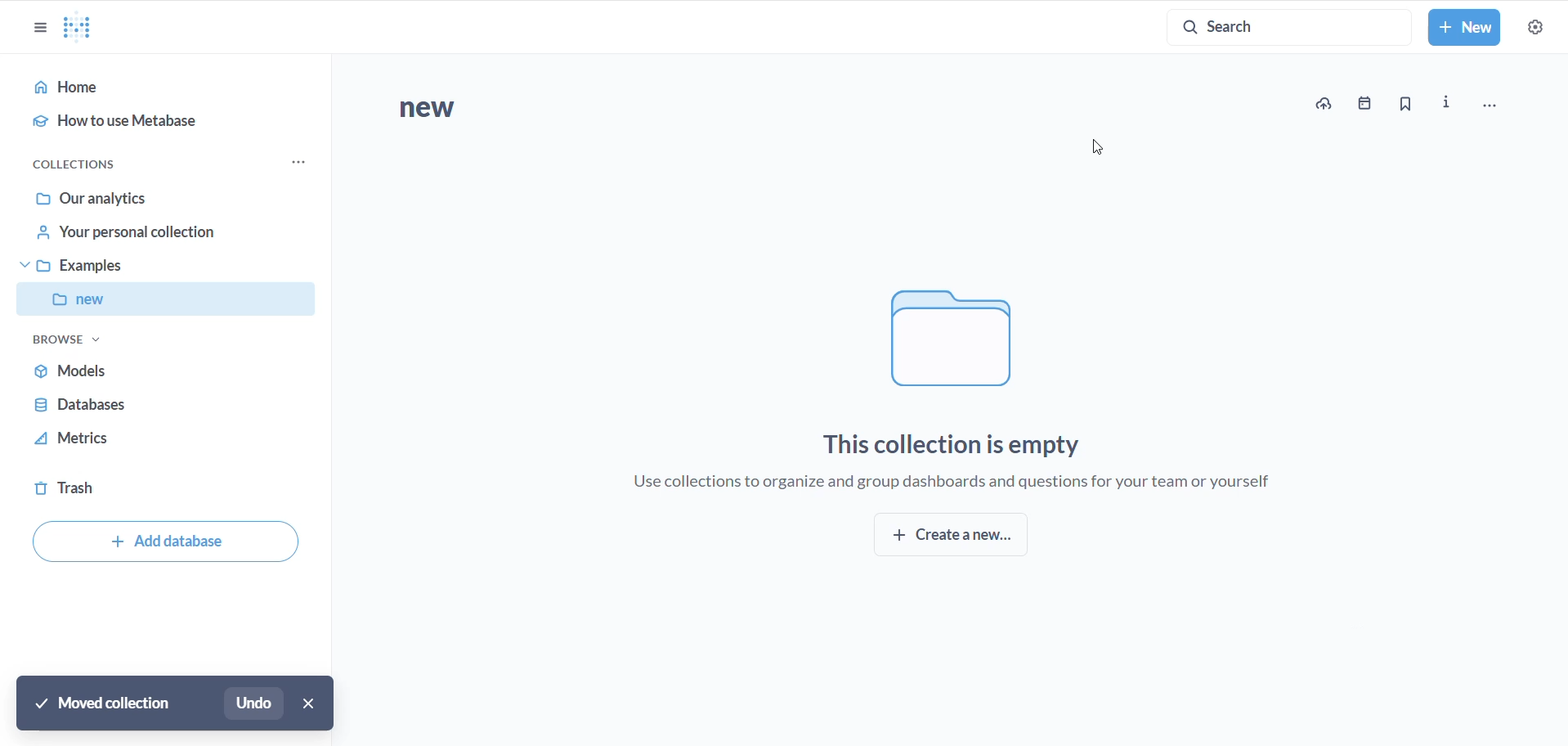 Image resolution: width=1568 pixels, height=746 pixels. I want to click on more options, so click(1498, 106).